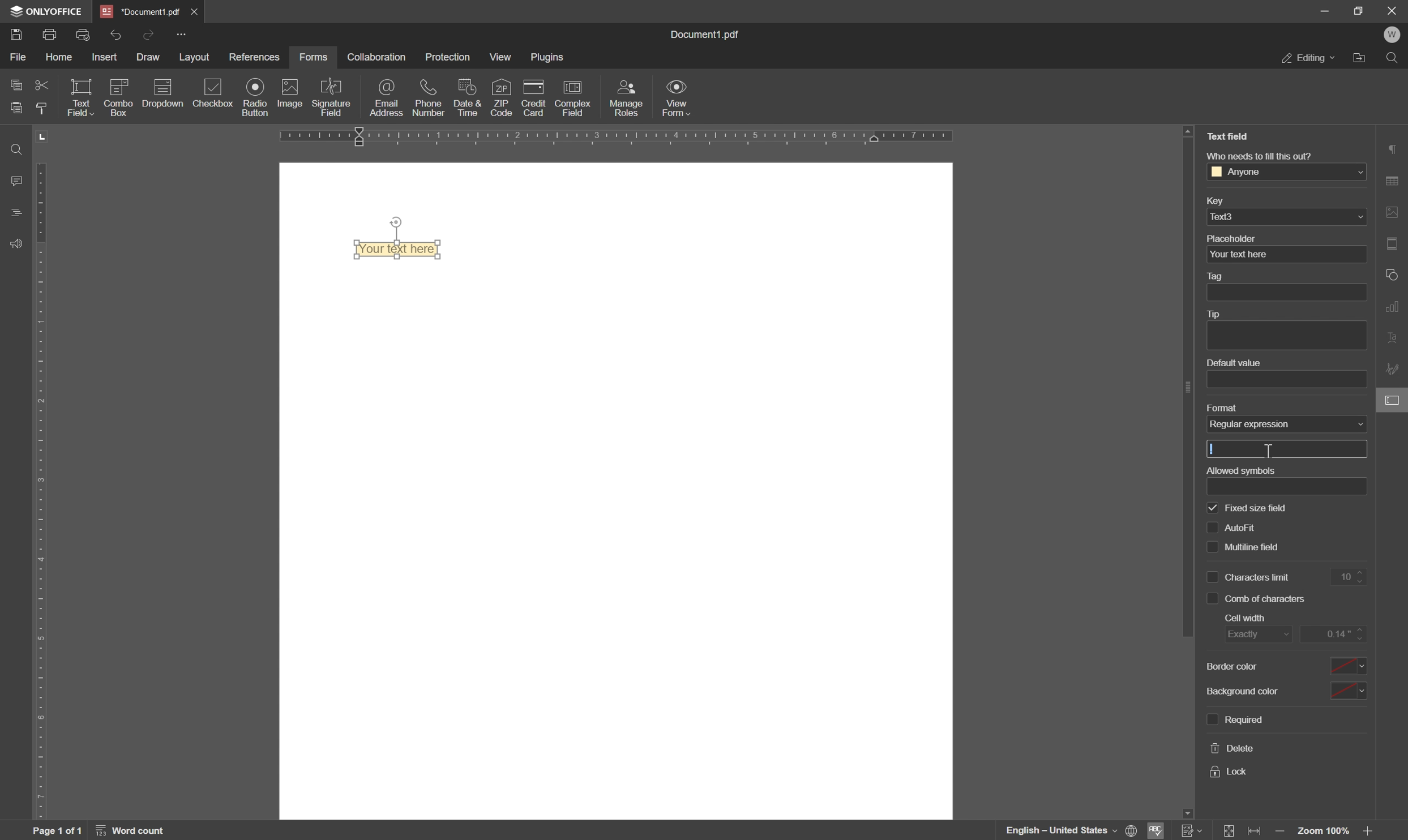 The width and height of the screenshot is (1408, 840). What do you see at coordinates (1257, 832) in the screenshot?
I see `fit to width` at bounding box center [1257, 832].